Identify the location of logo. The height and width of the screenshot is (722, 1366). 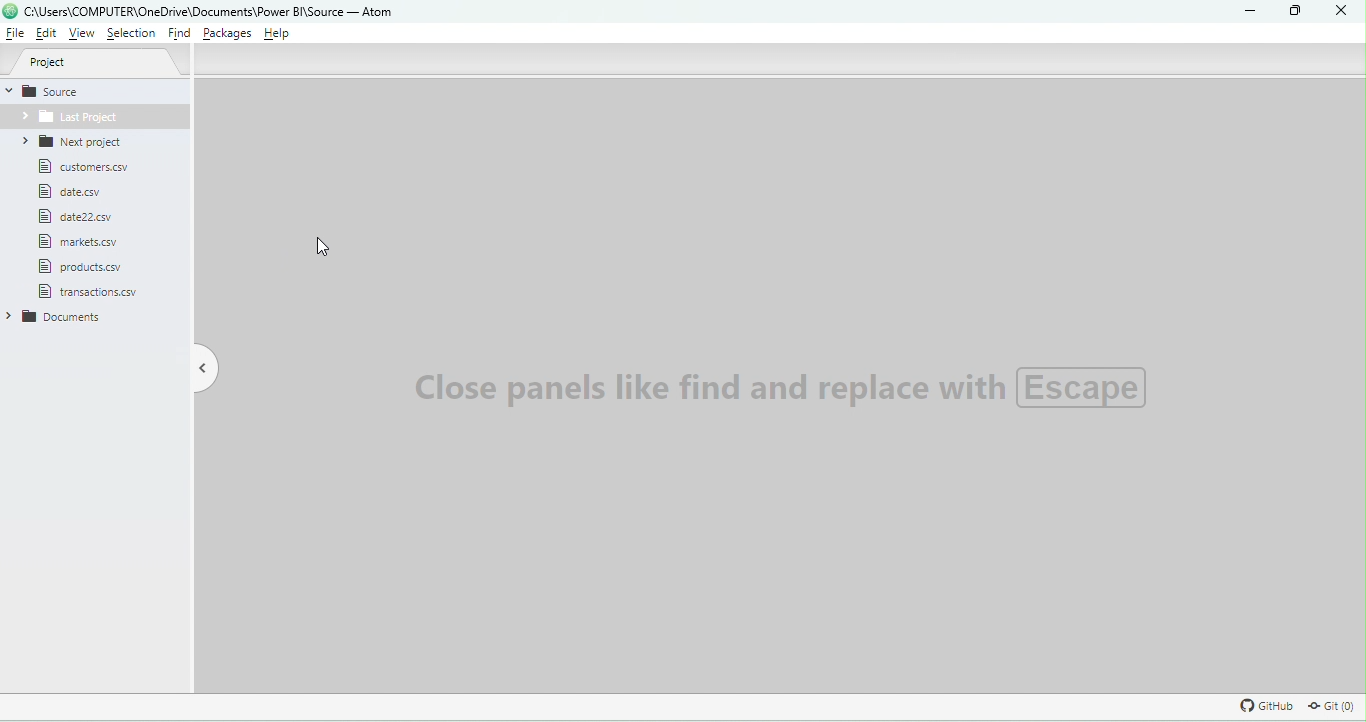
(11, 13).